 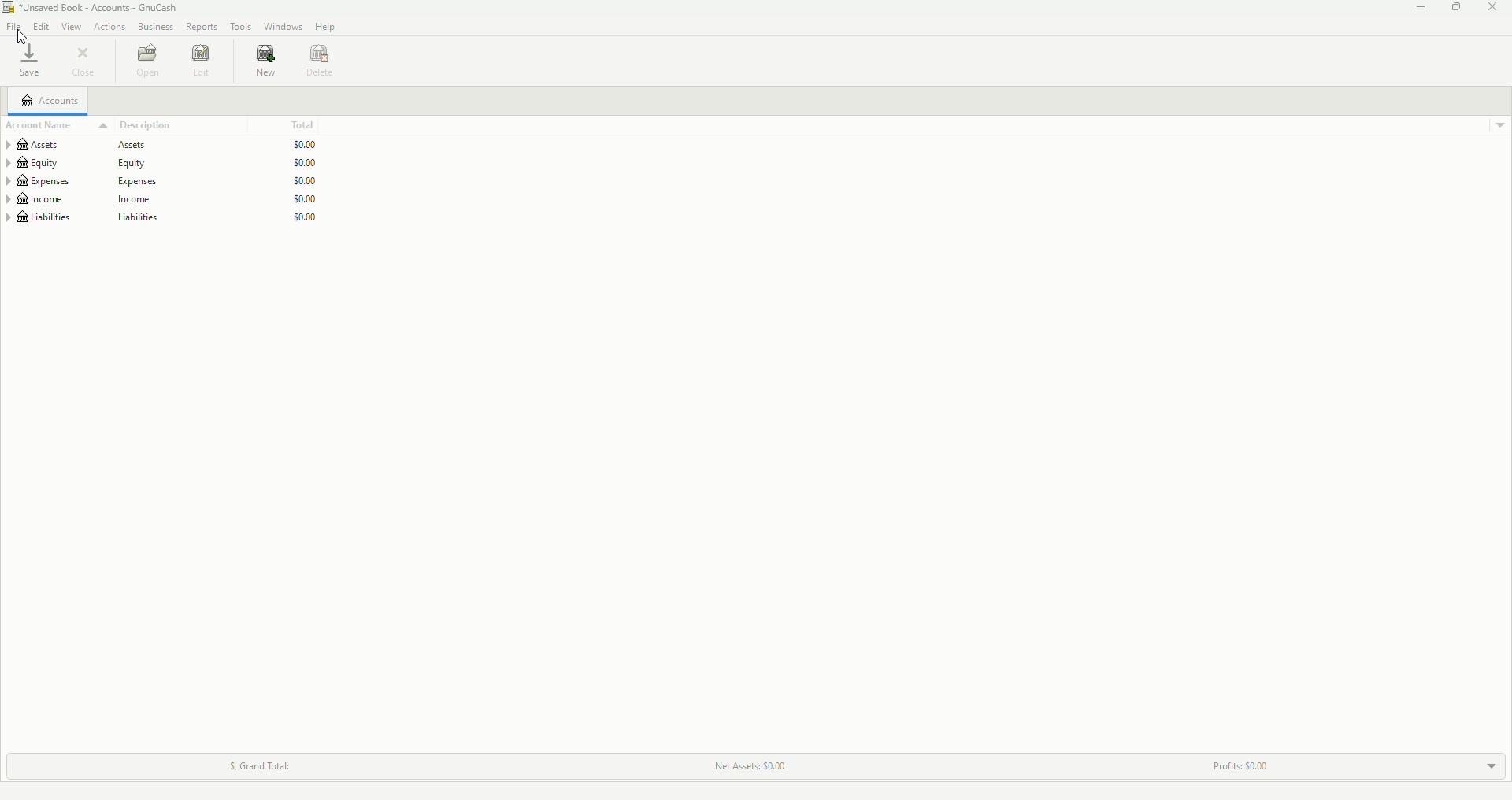 What do you see at coordinates (751, 765) in the screenshot?
I see `Net assets` at bounding box center [751, 765].